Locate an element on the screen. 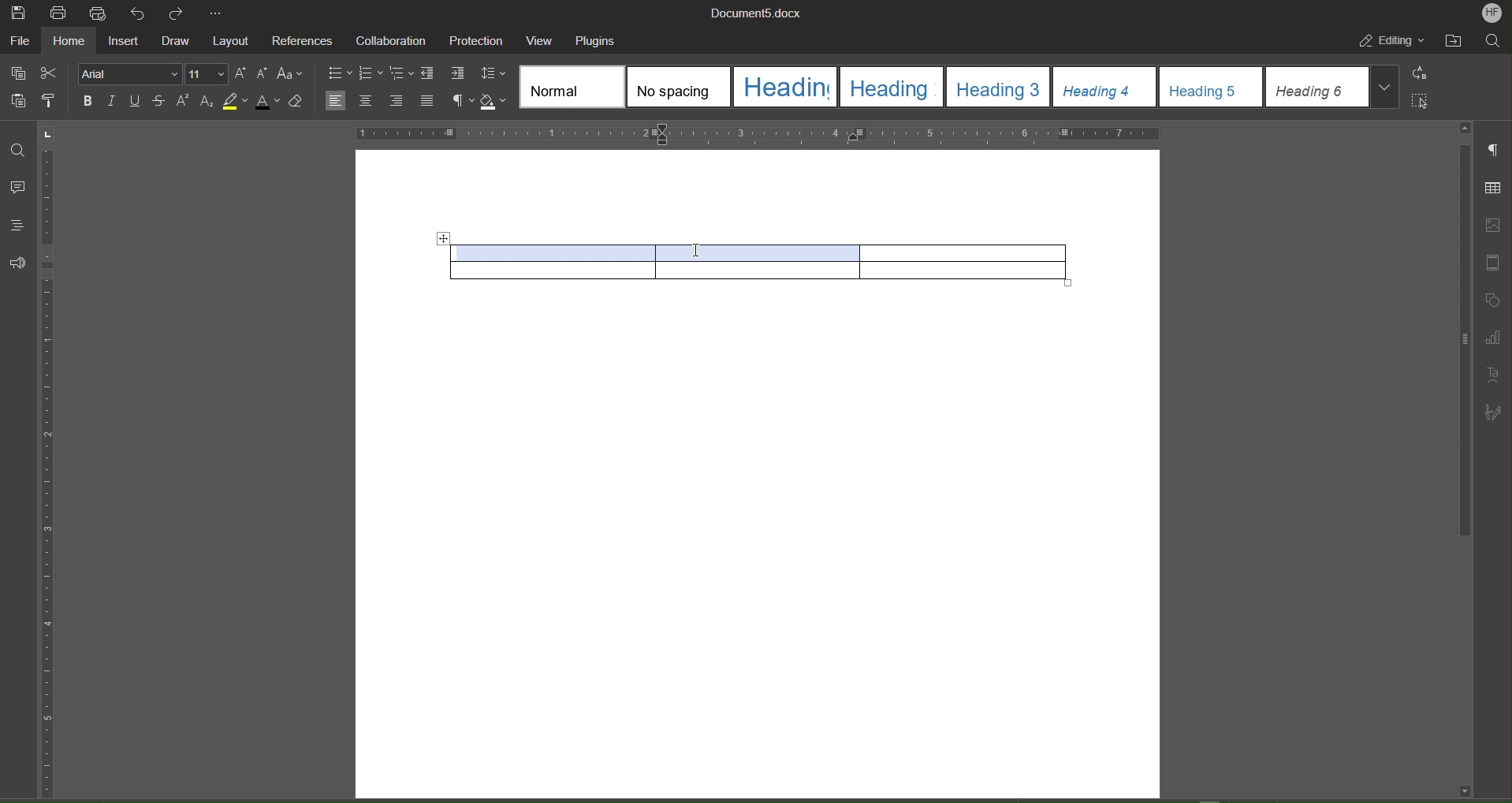 This screenshot has width=1512, height=803. Search is located at coordinates (1494, 43).